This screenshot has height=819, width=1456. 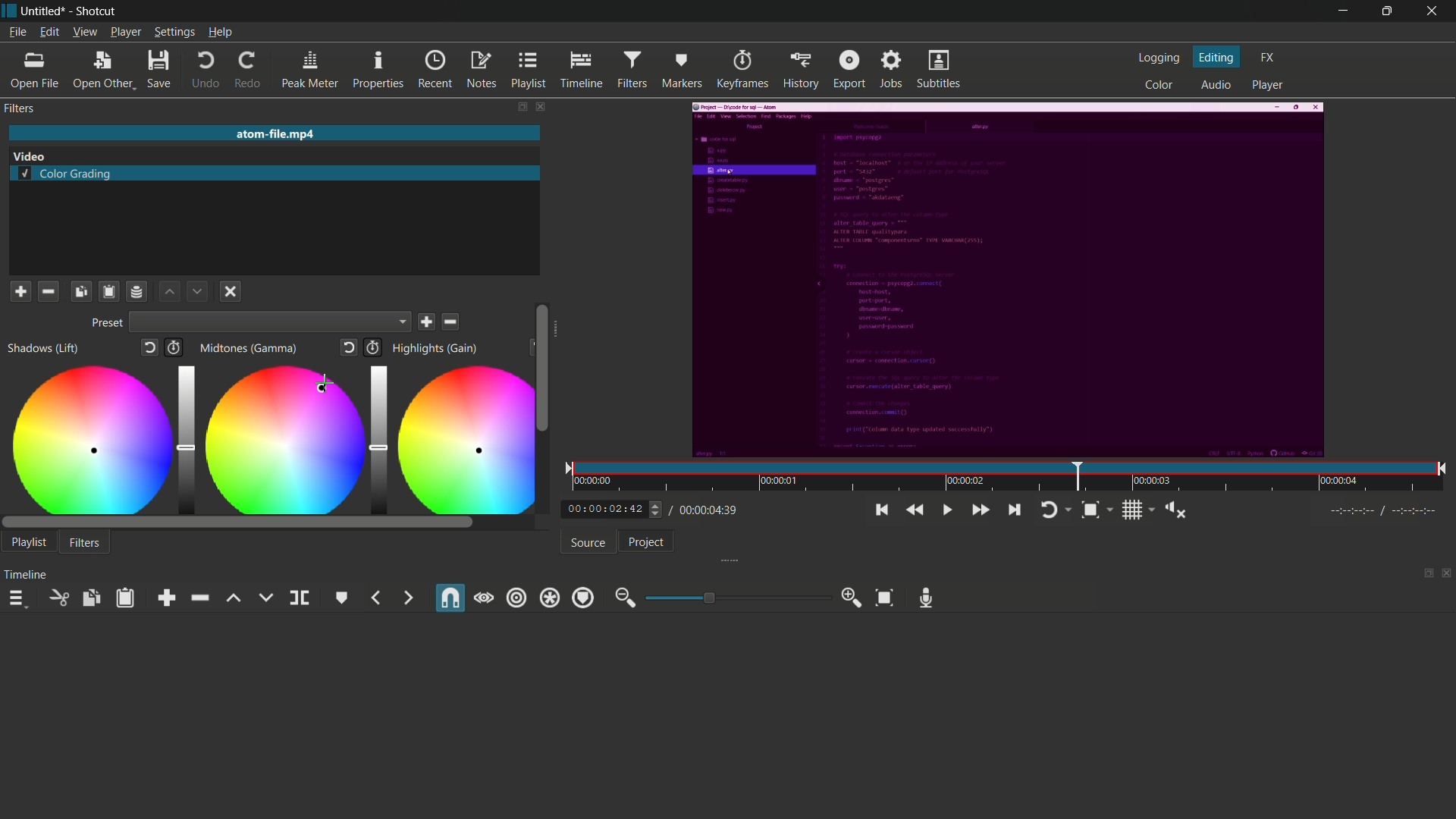 What do you see at coordinates (20, 290) in the screenshot?
I see `Add` at bounding box center [20, 290].